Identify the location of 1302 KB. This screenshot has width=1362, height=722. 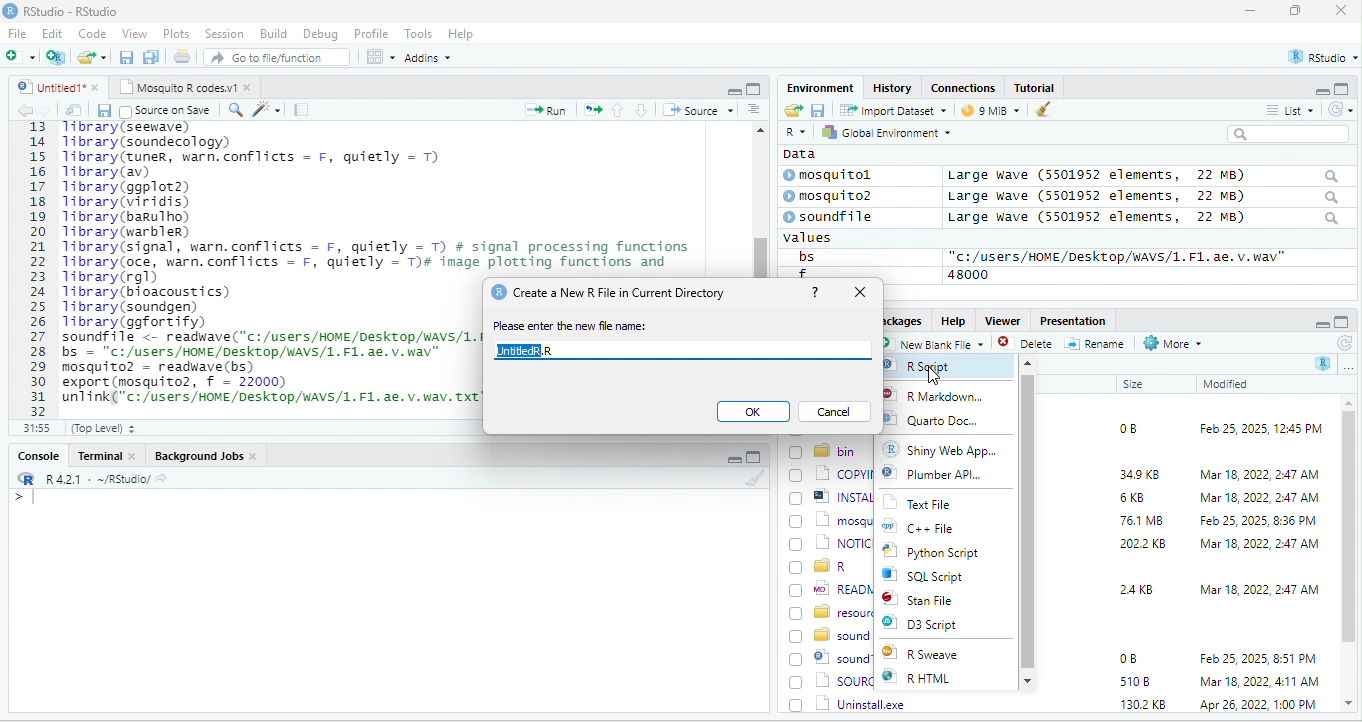
(1145, 704).